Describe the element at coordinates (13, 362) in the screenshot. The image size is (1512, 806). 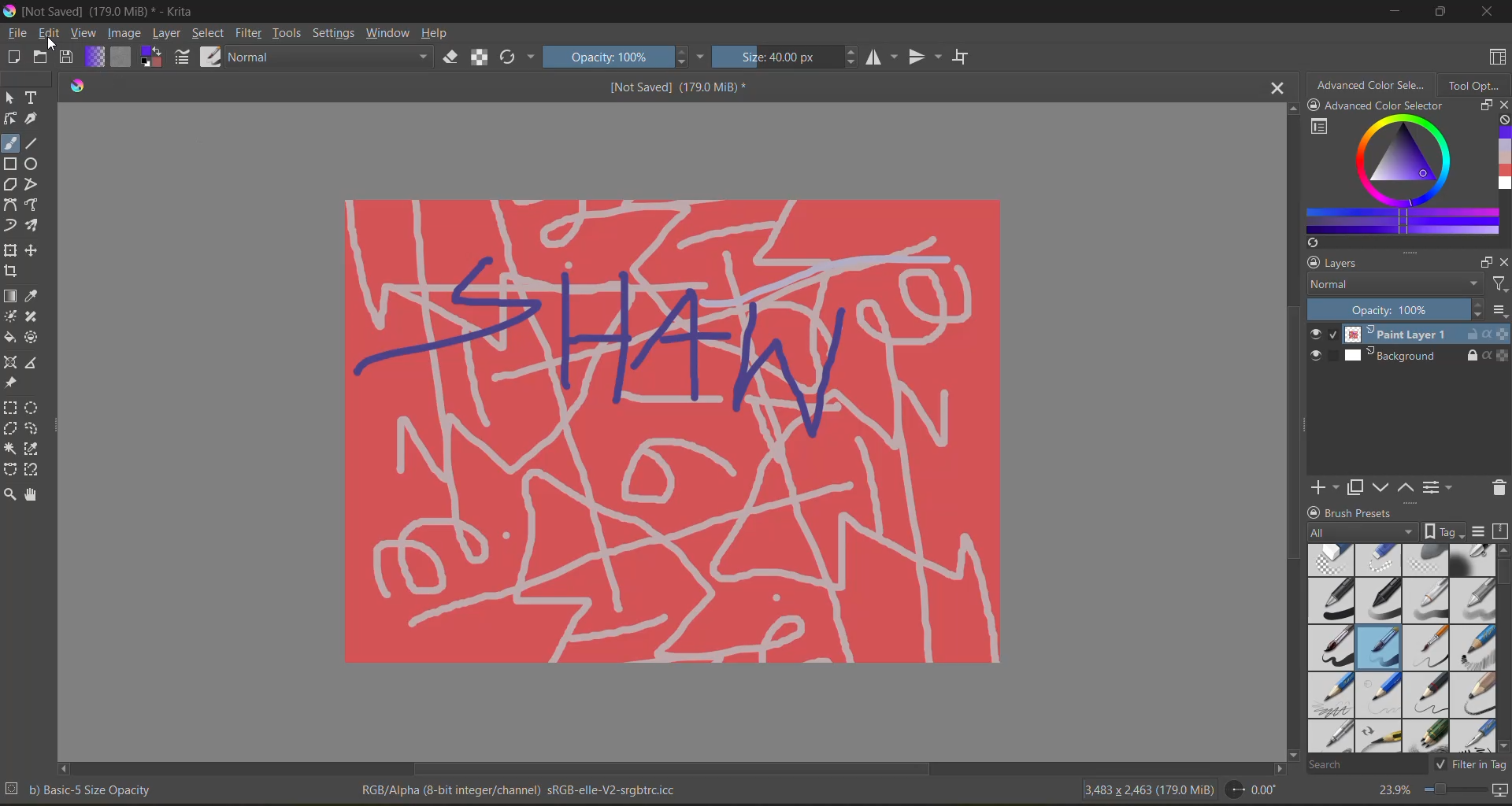
I see `Assistant tool` at that location.